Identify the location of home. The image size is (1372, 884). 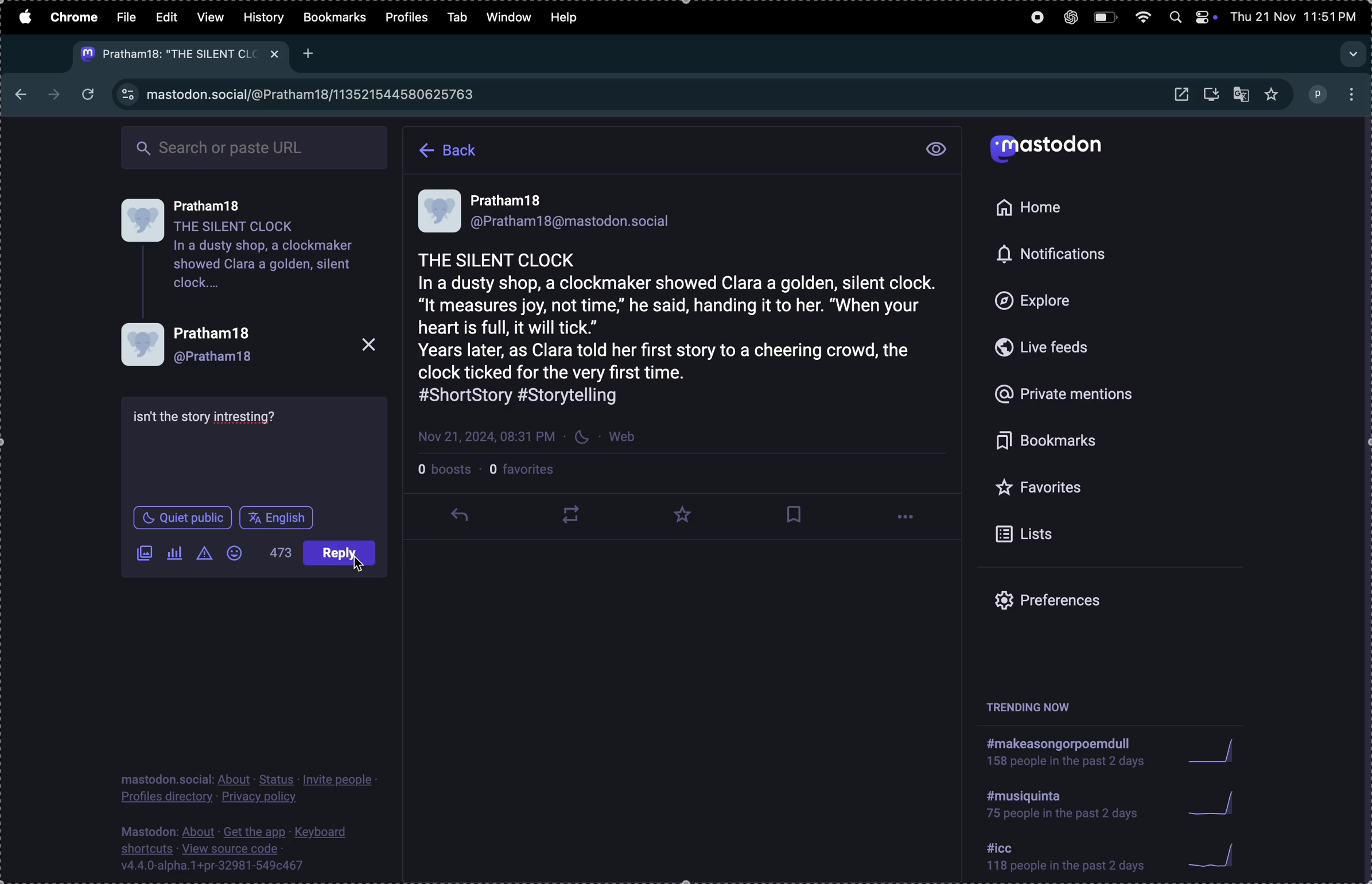
(1036, 208).